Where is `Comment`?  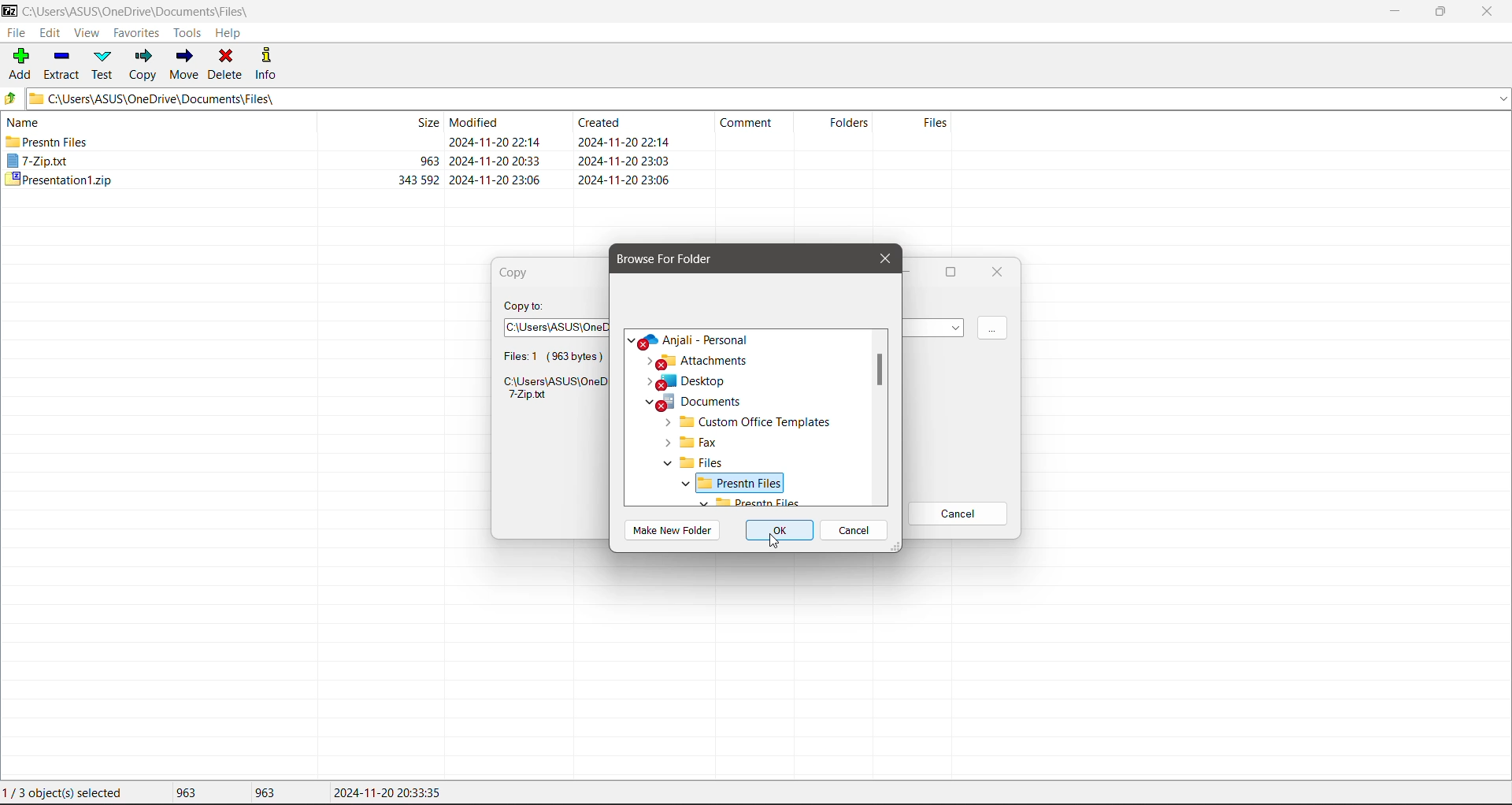
Comment is located at coordinates (753, 126).